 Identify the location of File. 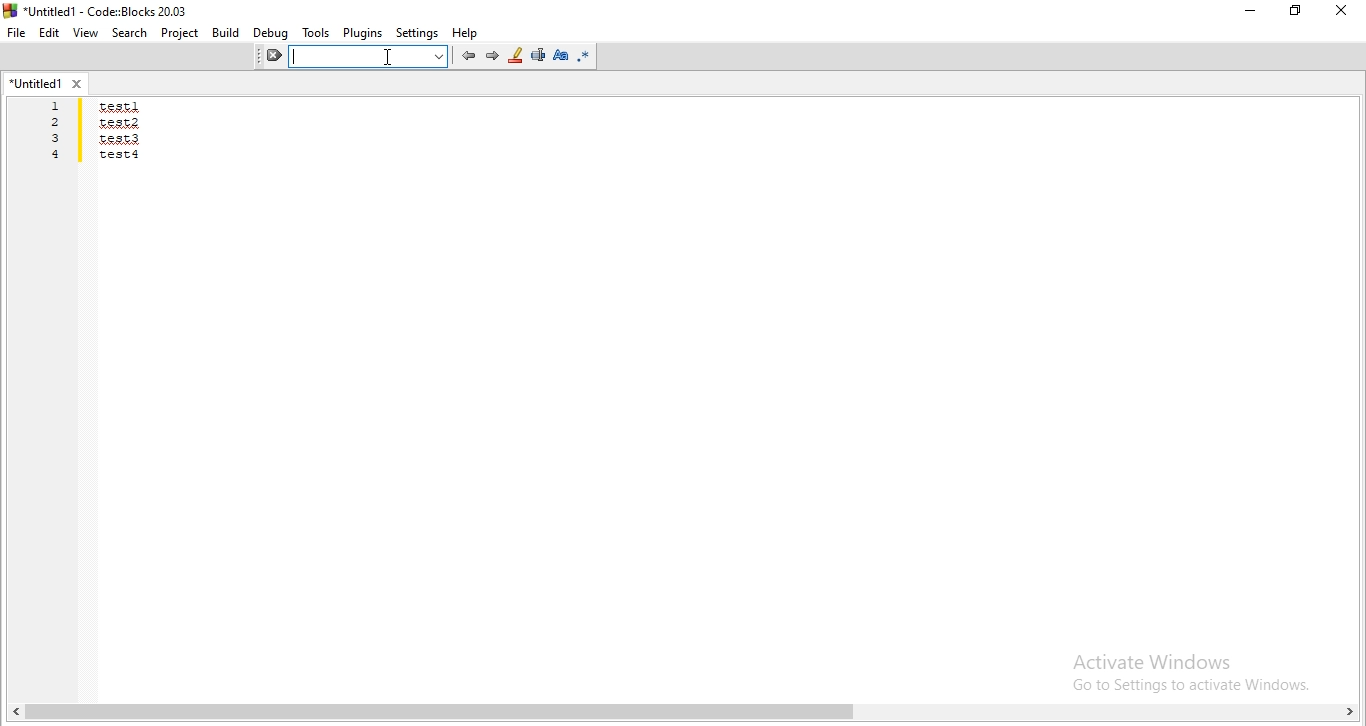
(16, 32).